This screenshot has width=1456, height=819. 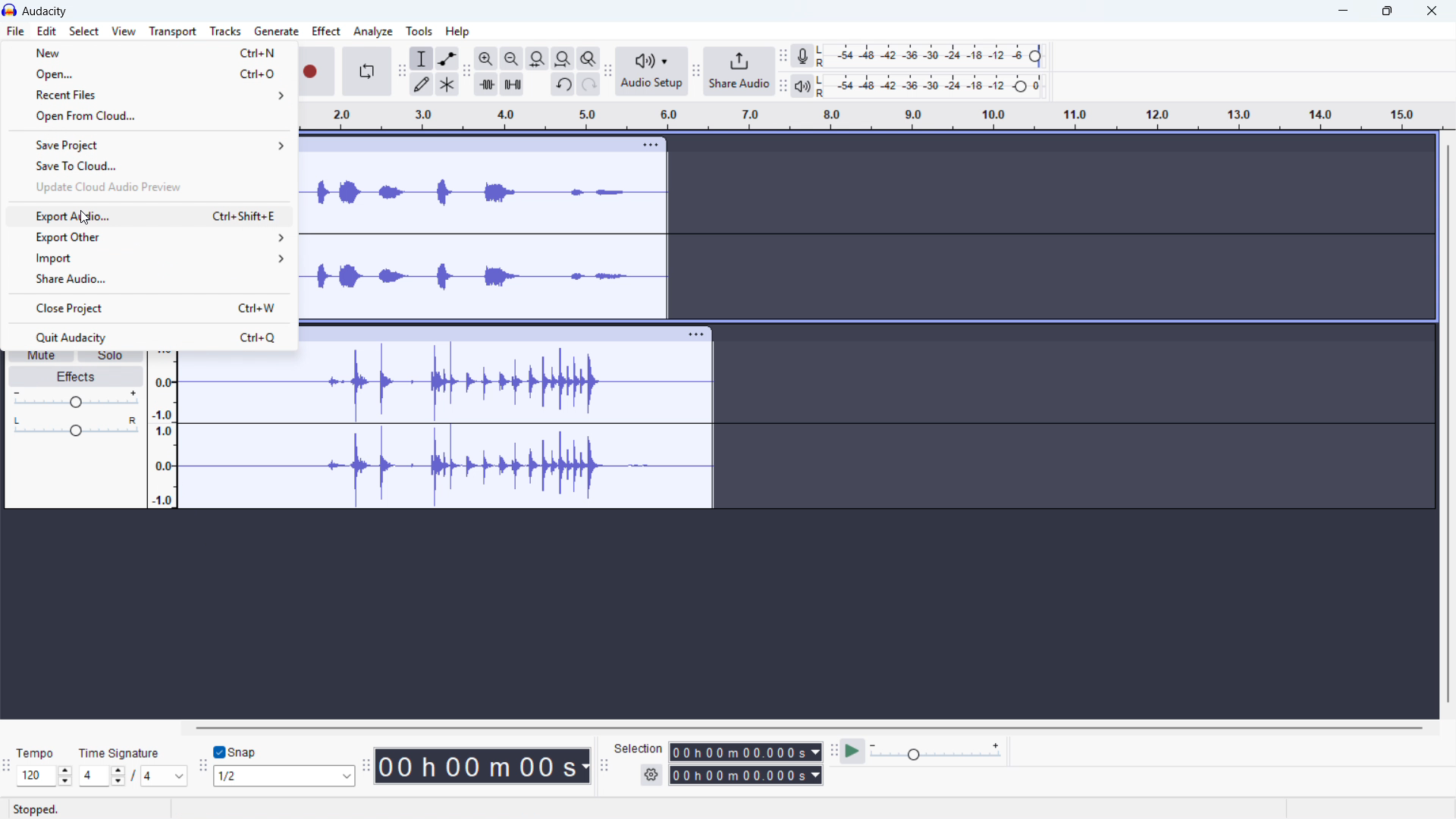 I want to click on Pan: centre, so click(x=77, y=428).